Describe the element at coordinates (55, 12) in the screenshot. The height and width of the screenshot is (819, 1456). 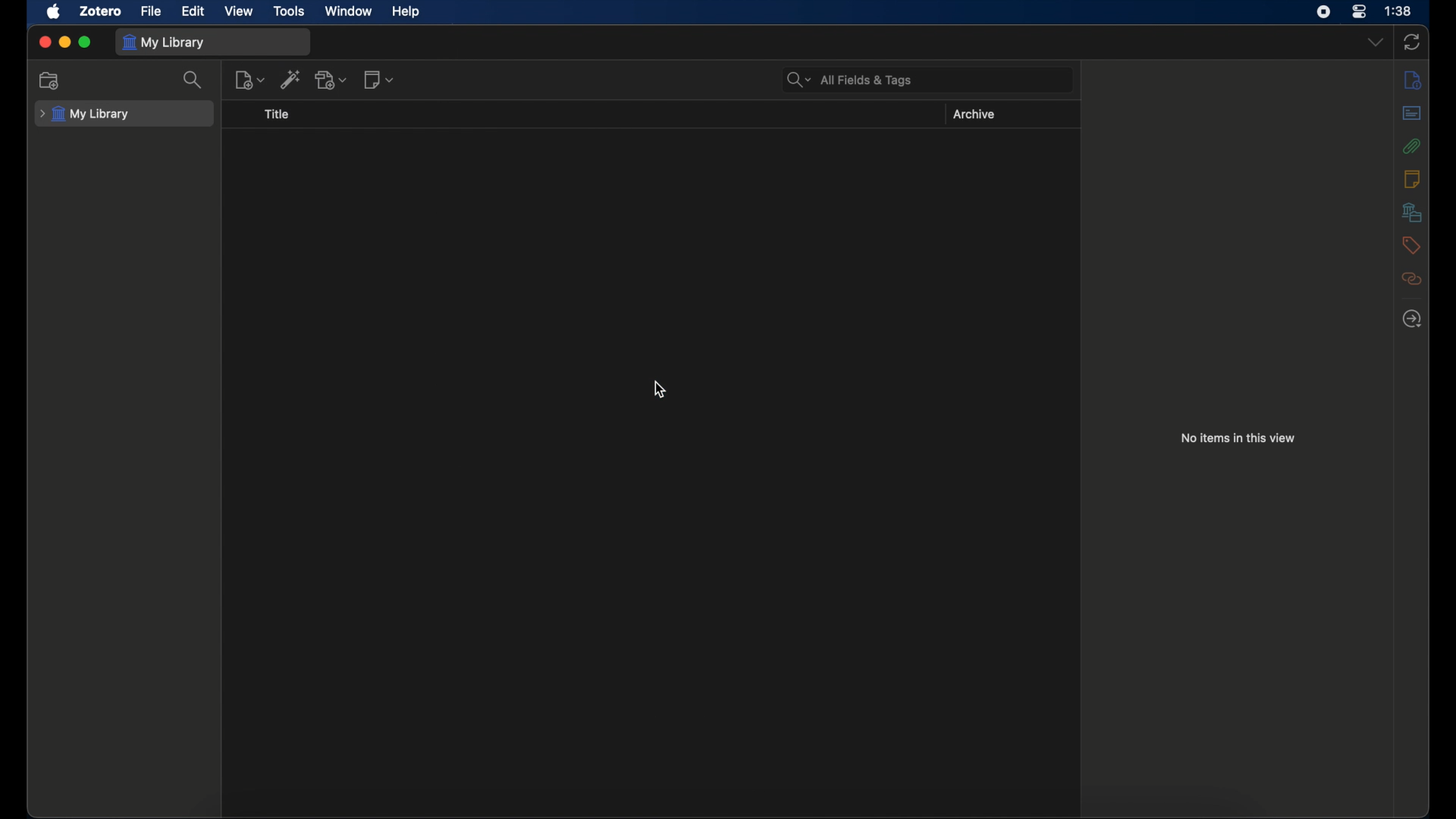
I see `apple icon` at that location.